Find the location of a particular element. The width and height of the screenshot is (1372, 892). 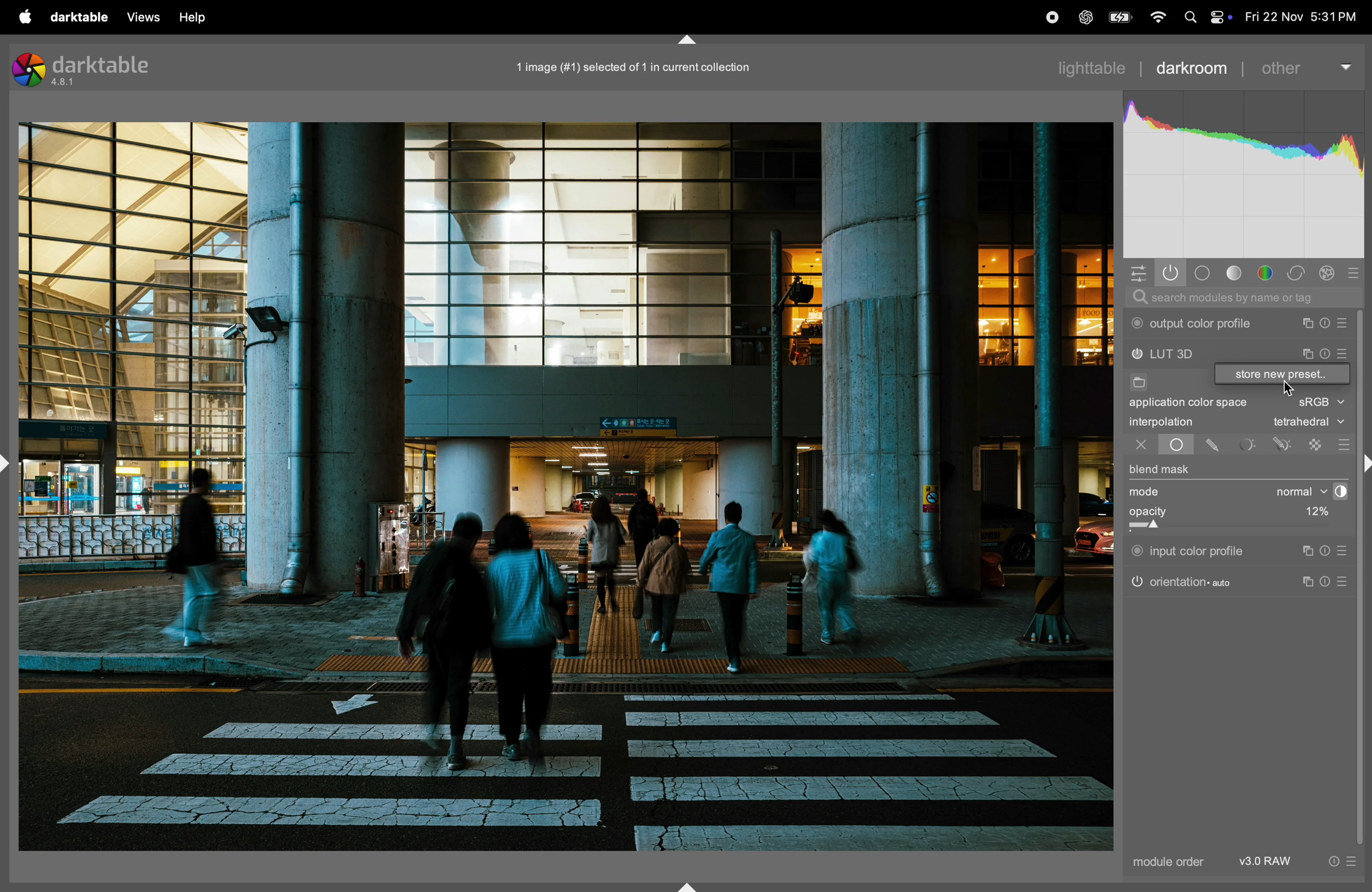

instance is located at coordinates (1306, 551).